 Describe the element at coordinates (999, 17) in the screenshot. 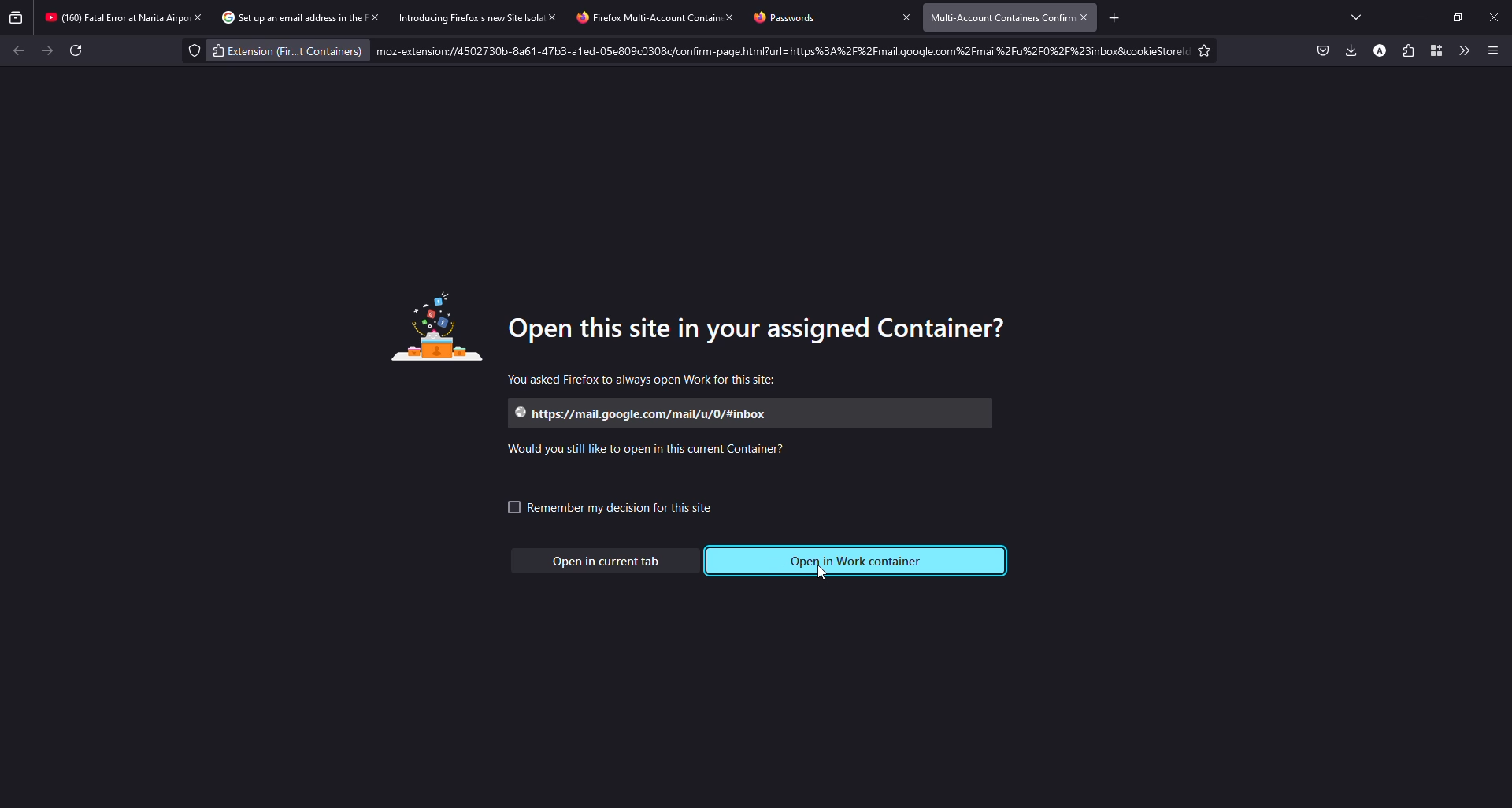

I see `Multi-Account Containers Confirm` at that location.